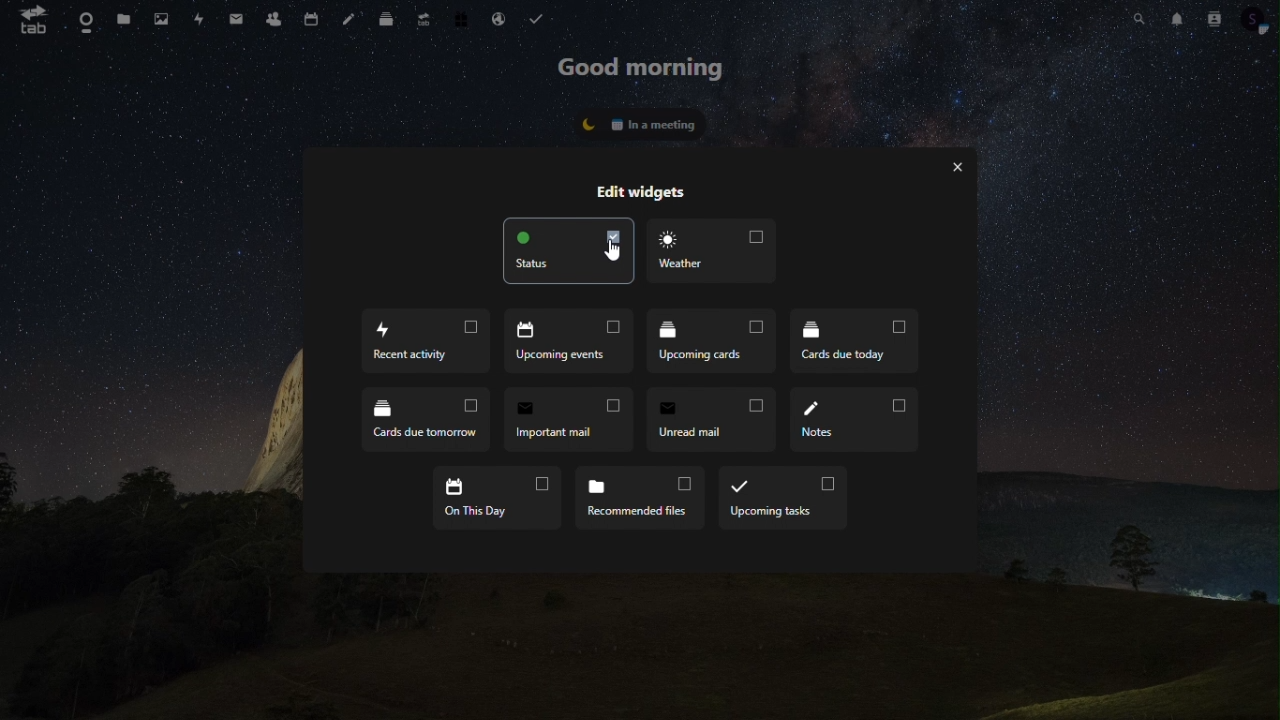  What do you see at coordinates (715, 420) in the screenshot?
I see `unread mail` at bounding box center [715, 420].